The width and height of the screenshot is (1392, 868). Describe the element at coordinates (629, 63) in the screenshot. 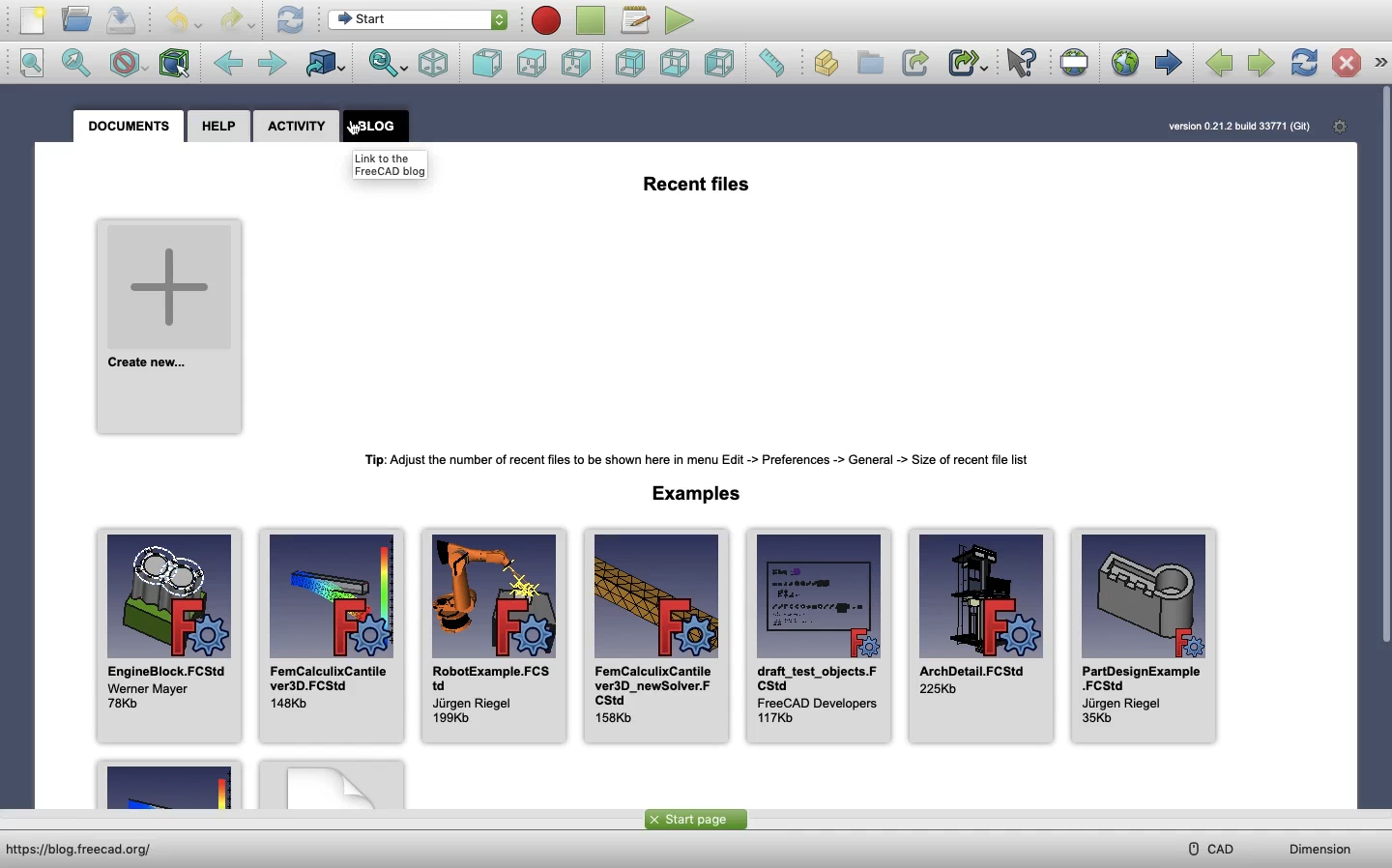

I see `Rear` at that location.